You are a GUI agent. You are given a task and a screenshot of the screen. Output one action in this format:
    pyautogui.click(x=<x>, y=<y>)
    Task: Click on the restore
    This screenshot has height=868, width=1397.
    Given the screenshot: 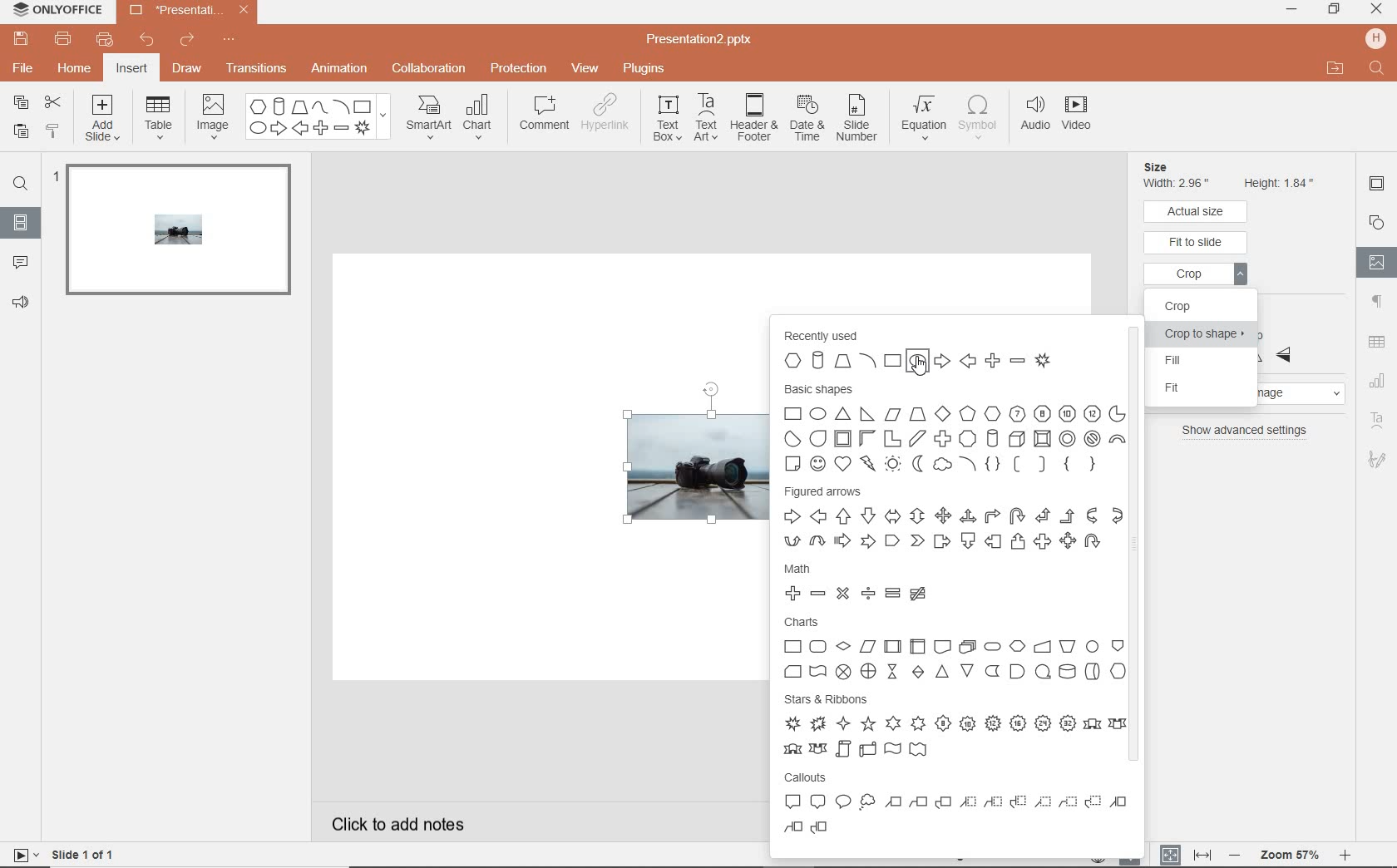 What is the action you would take?
    pyautogui.click(x=1335, y=11)
    